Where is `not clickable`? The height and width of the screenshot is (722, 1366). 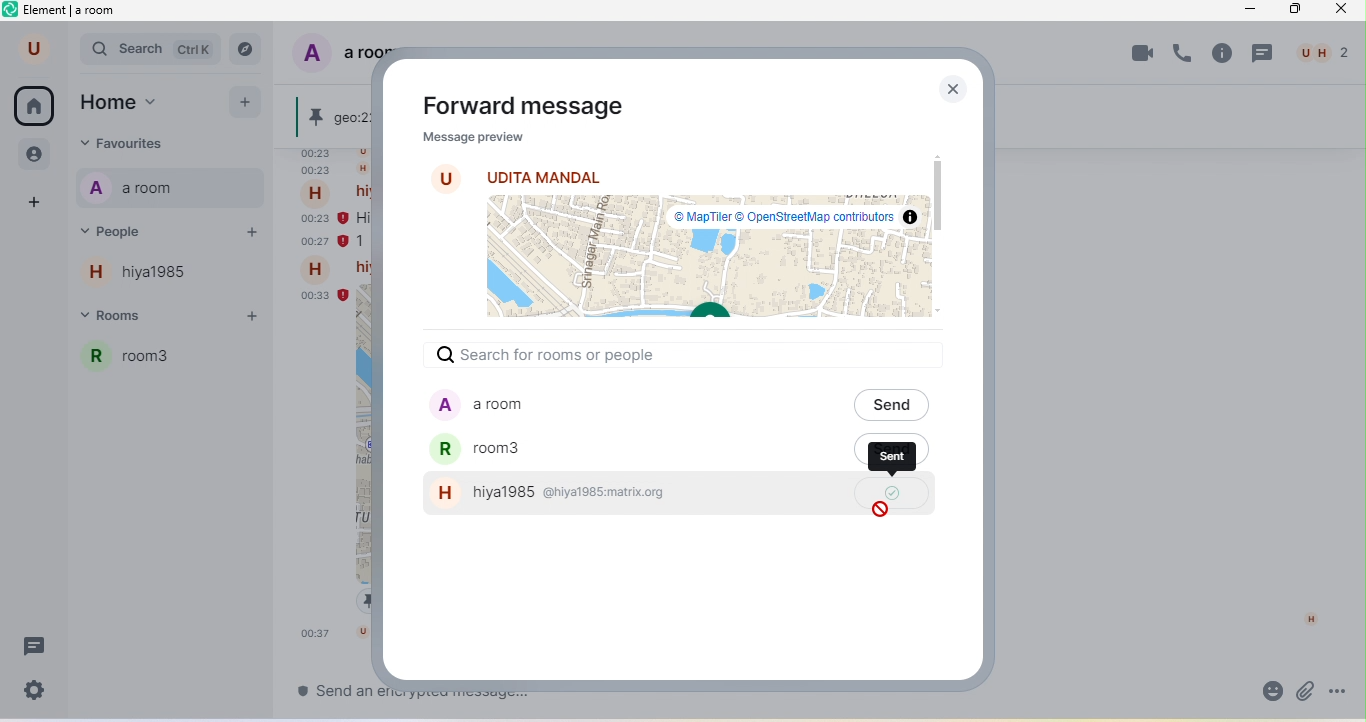 not clickable is located at coordinates (880, 510).